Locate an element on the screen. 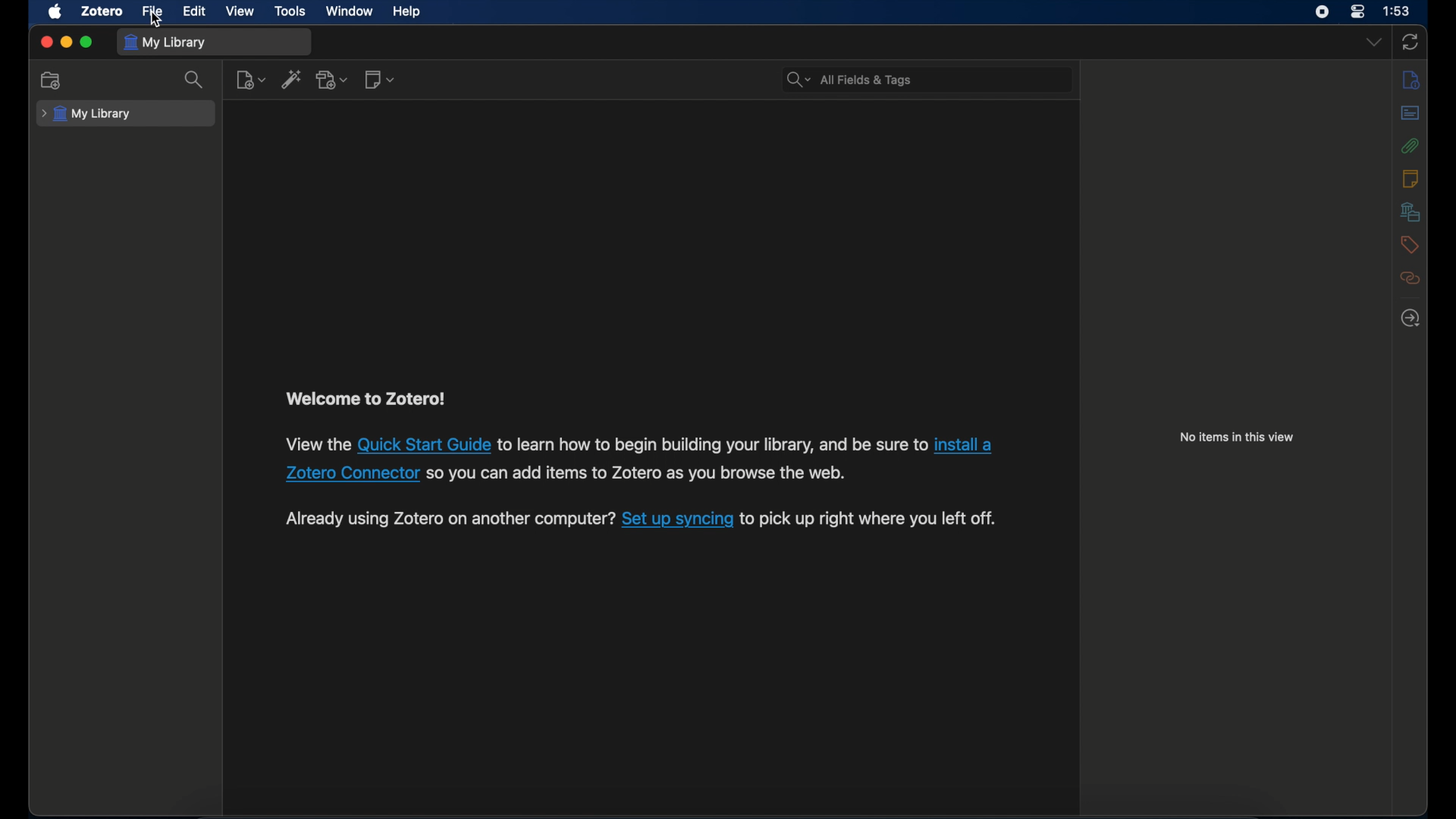  info is located at coordinates (1410, 79).